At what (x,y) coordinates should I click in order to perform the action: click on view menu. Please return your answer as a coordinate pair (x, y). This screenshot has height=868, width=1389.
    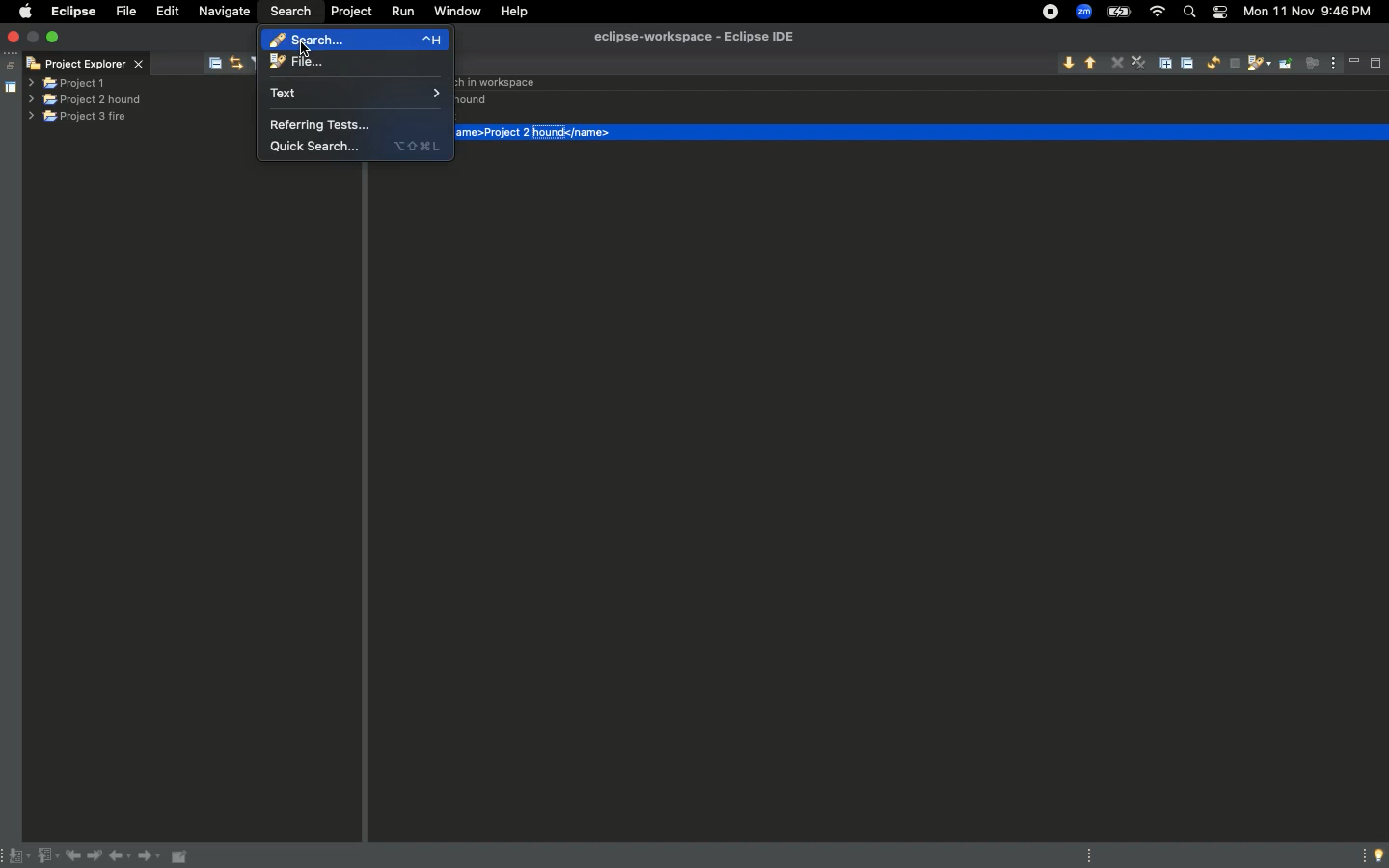
    Looking at the image, I should click on (1334, 59).